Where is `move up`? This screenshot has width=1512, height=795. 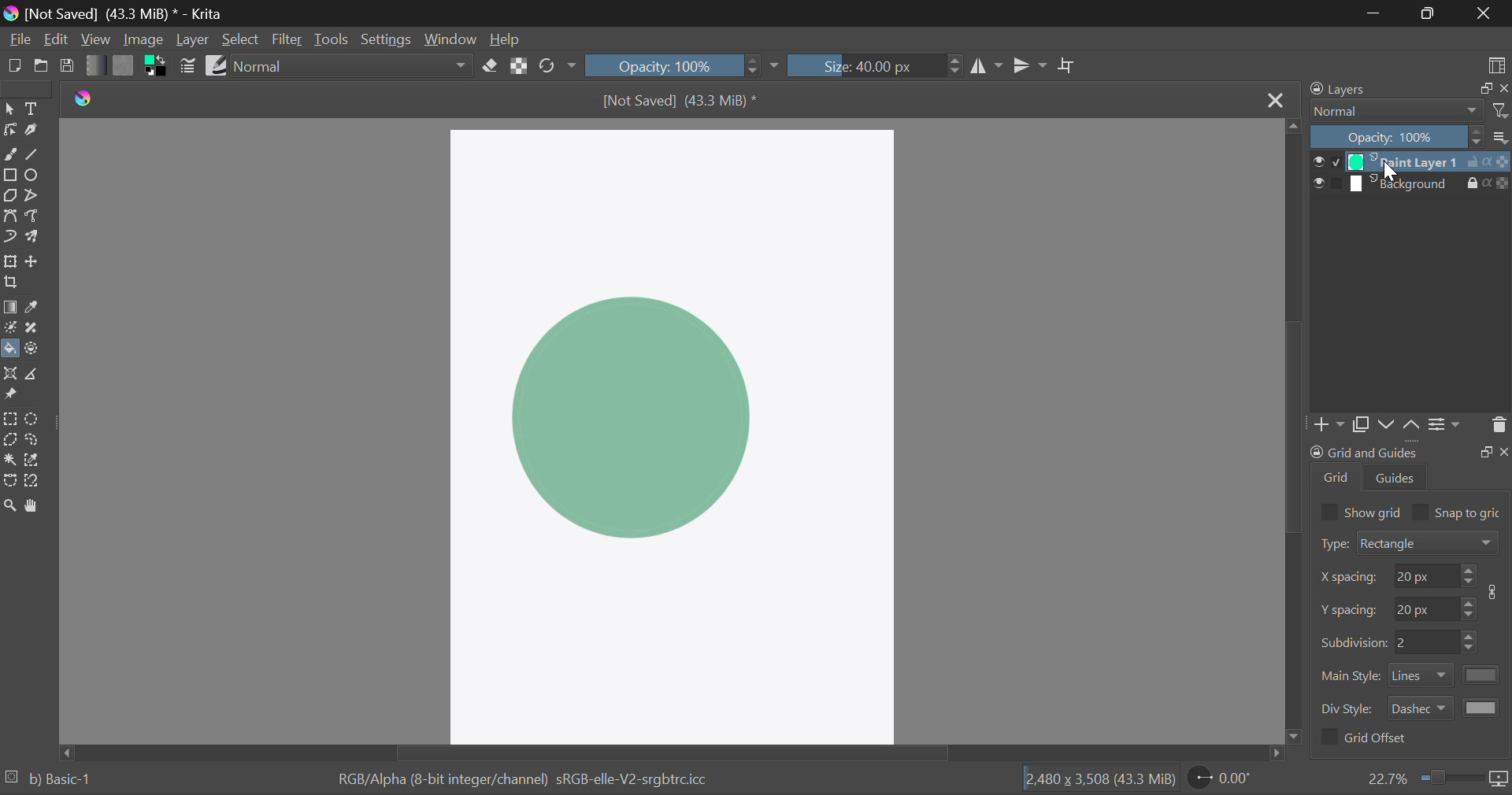 move up is located at coordinates (1290, 128).